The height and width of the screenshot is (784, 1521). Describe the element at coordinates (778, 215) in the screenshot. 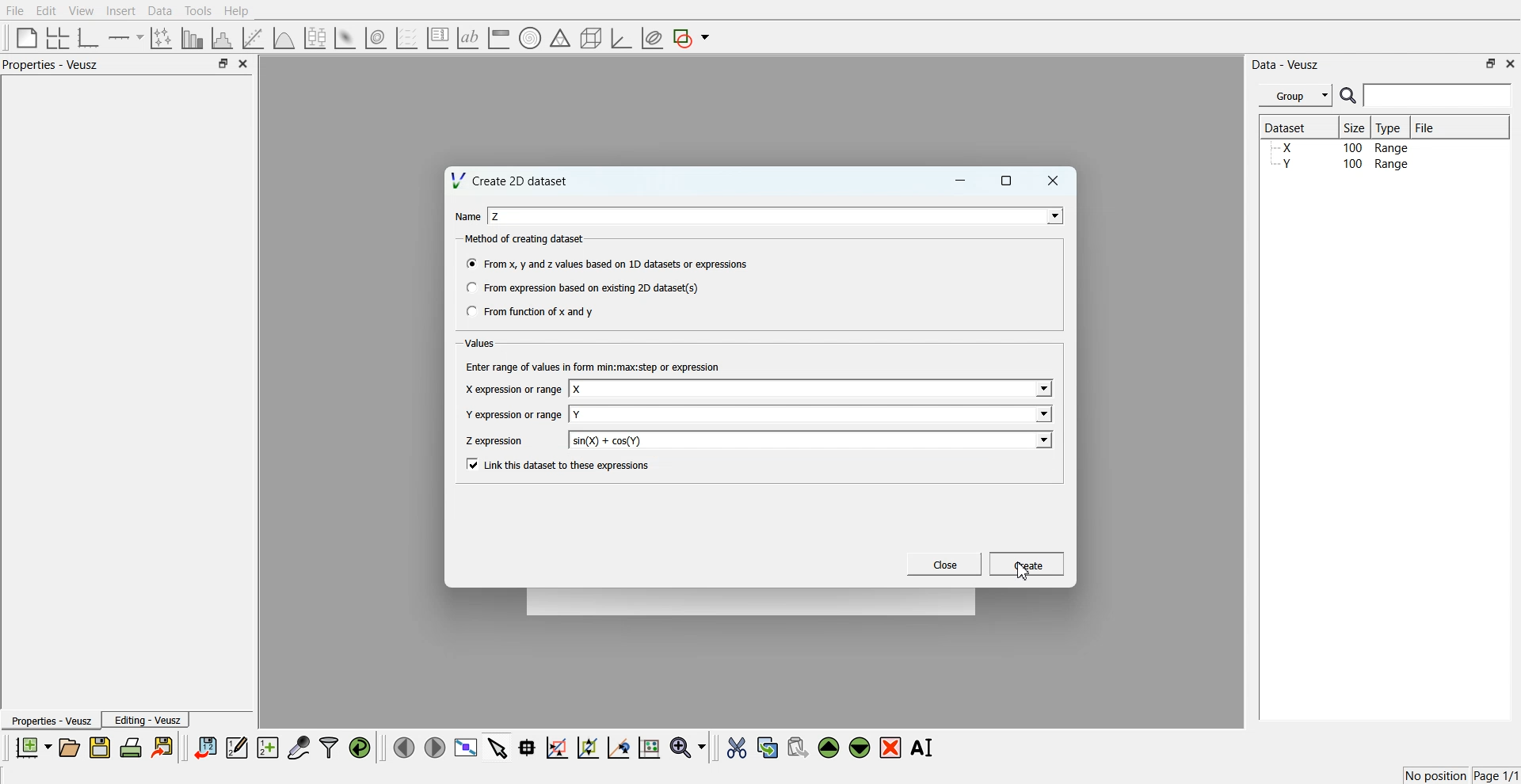

I see `Enter name` at that location.